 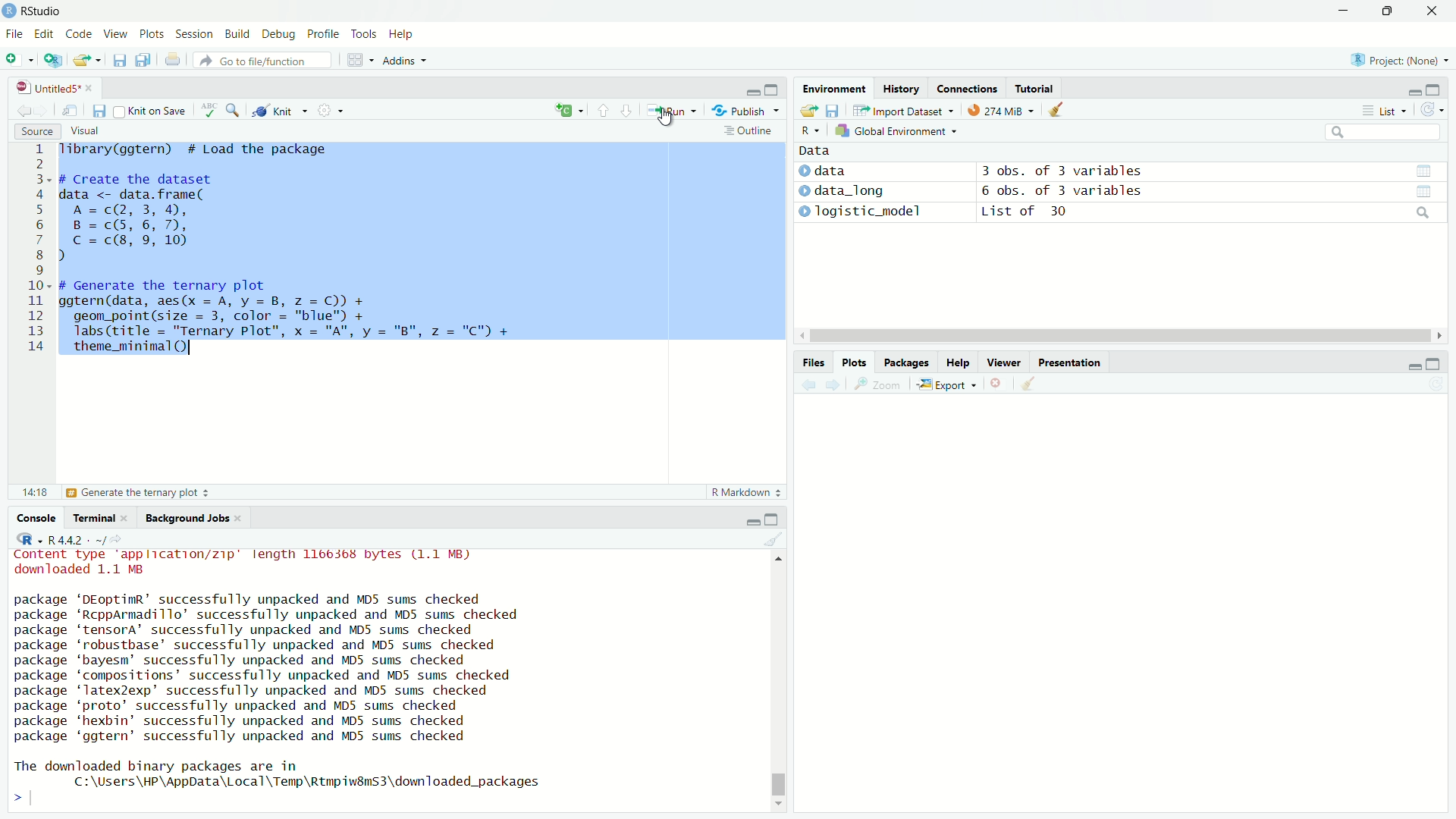 What do you see at coordinates (35, 131) in the screenshot?
I see `Source` at bounding box center [35, 131].